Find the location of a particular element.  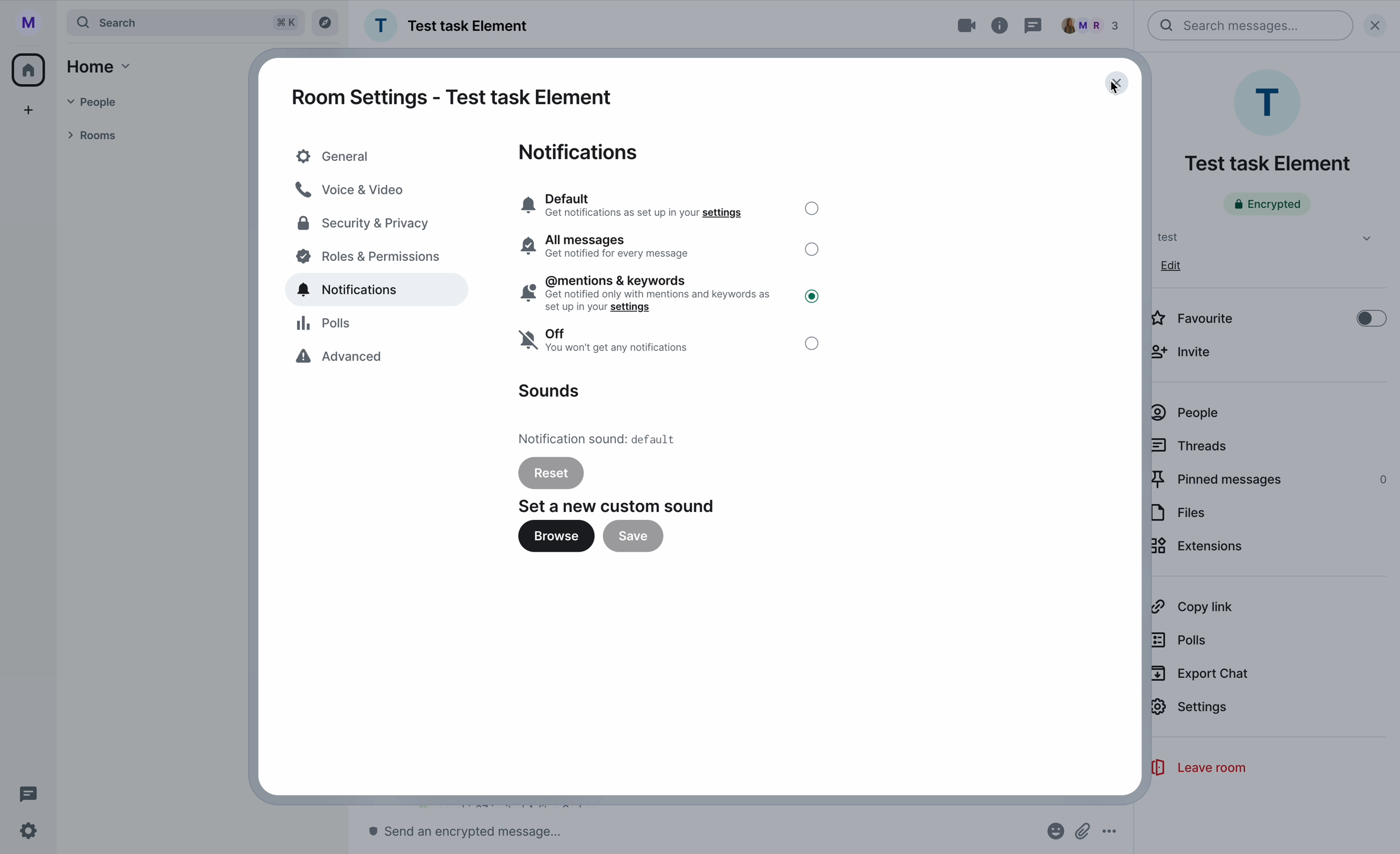

attach file is located at coordinates (1084, 831).